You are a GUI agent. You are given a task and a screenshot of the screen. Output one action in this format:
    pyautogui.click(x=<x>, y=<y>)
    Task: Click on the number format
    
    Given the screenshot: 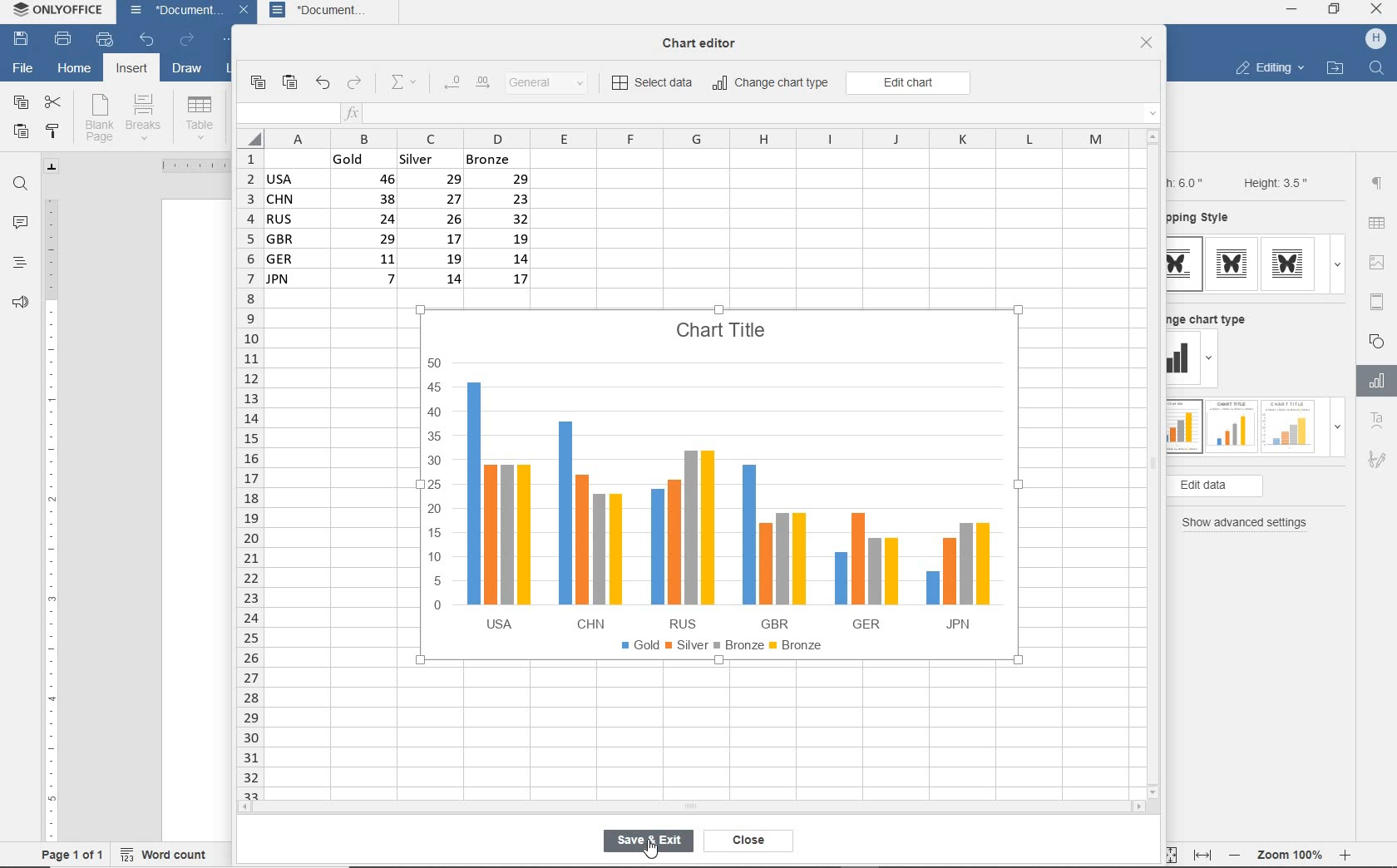 What is the action you would take?
    pyautogui.click(x=553, y=84)
    